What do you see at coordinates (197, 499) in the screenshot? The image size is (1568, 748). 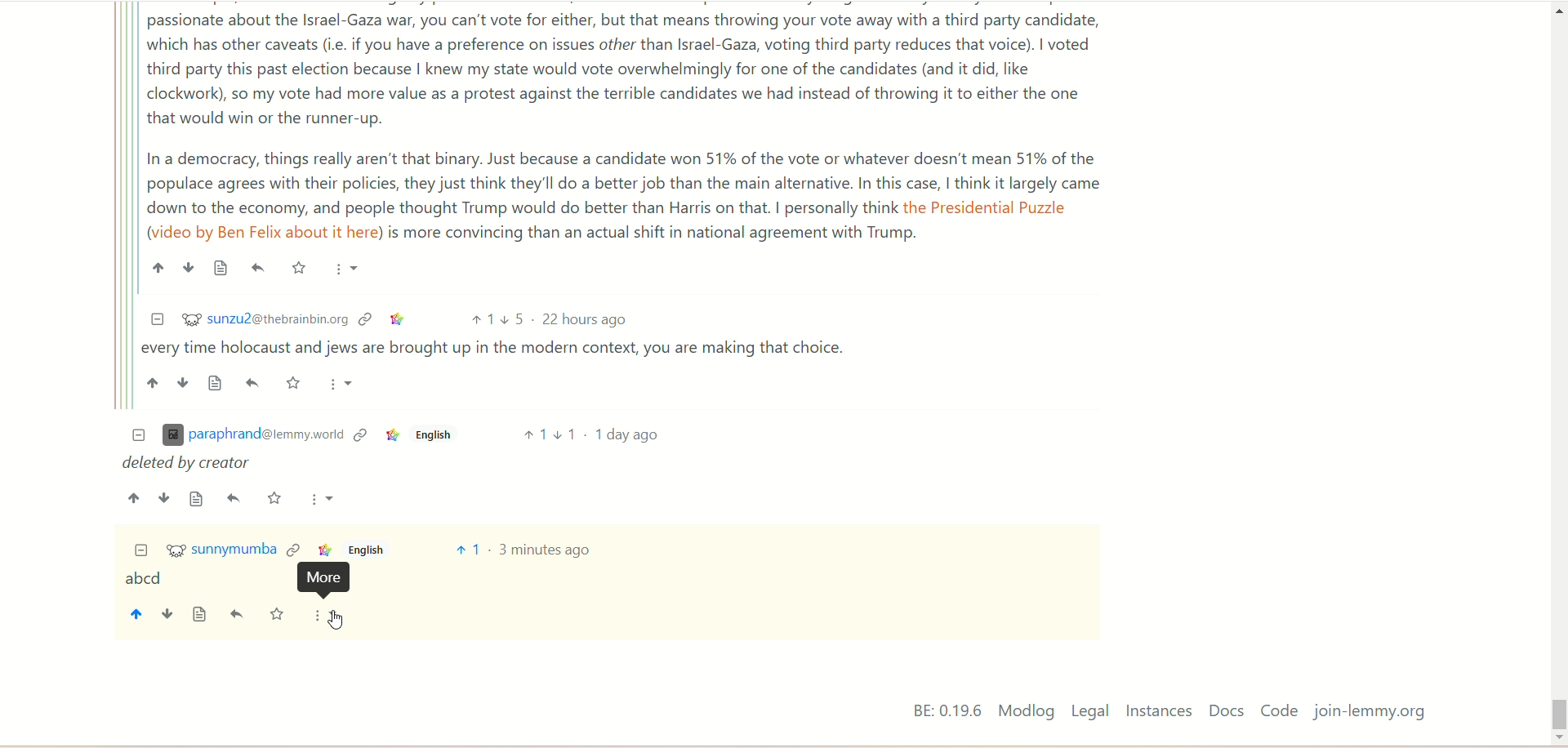 I see `Source` at bounding box center [197, 499].